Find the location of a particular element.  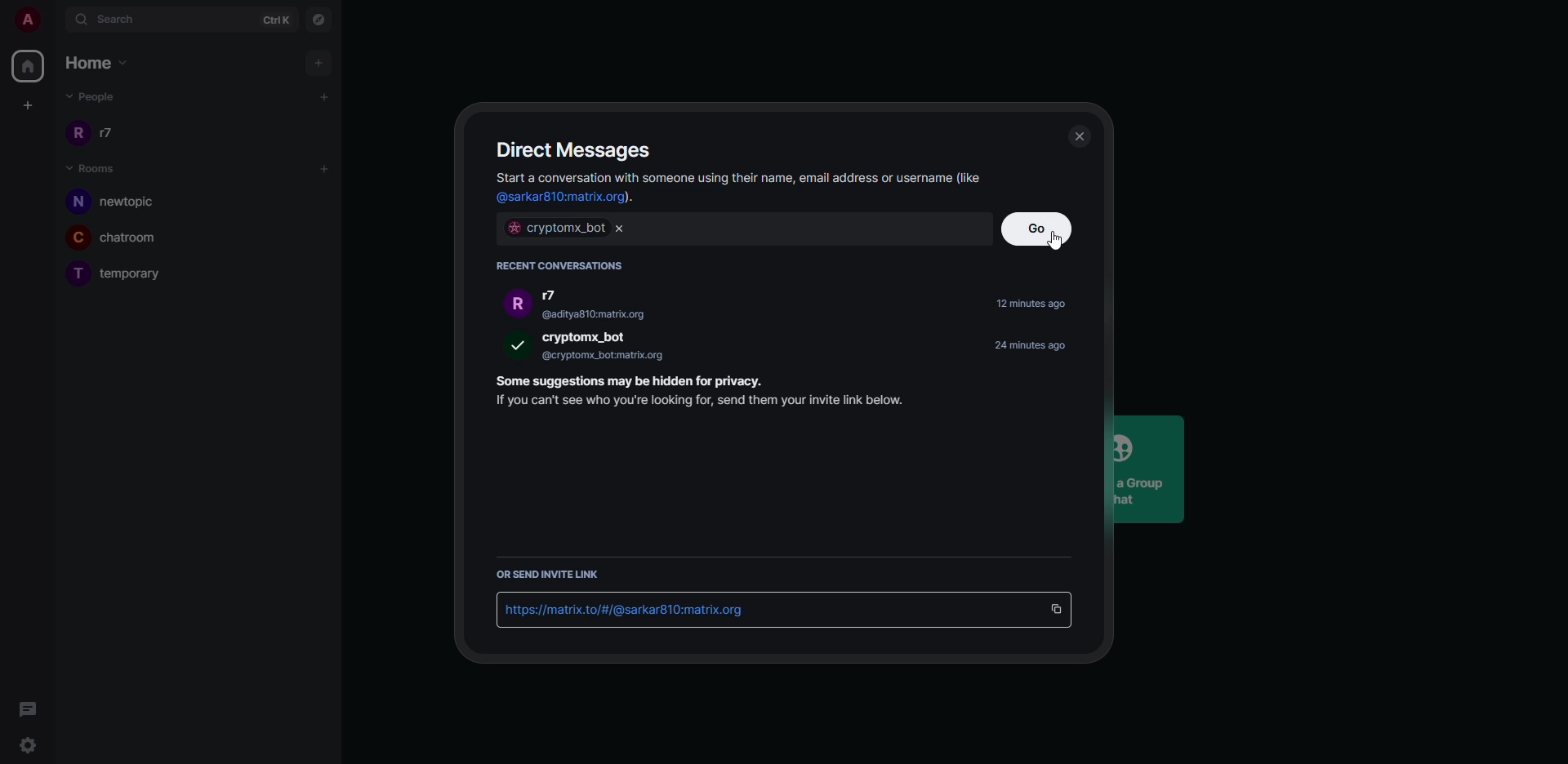

T is located at coordinates (77, 275).